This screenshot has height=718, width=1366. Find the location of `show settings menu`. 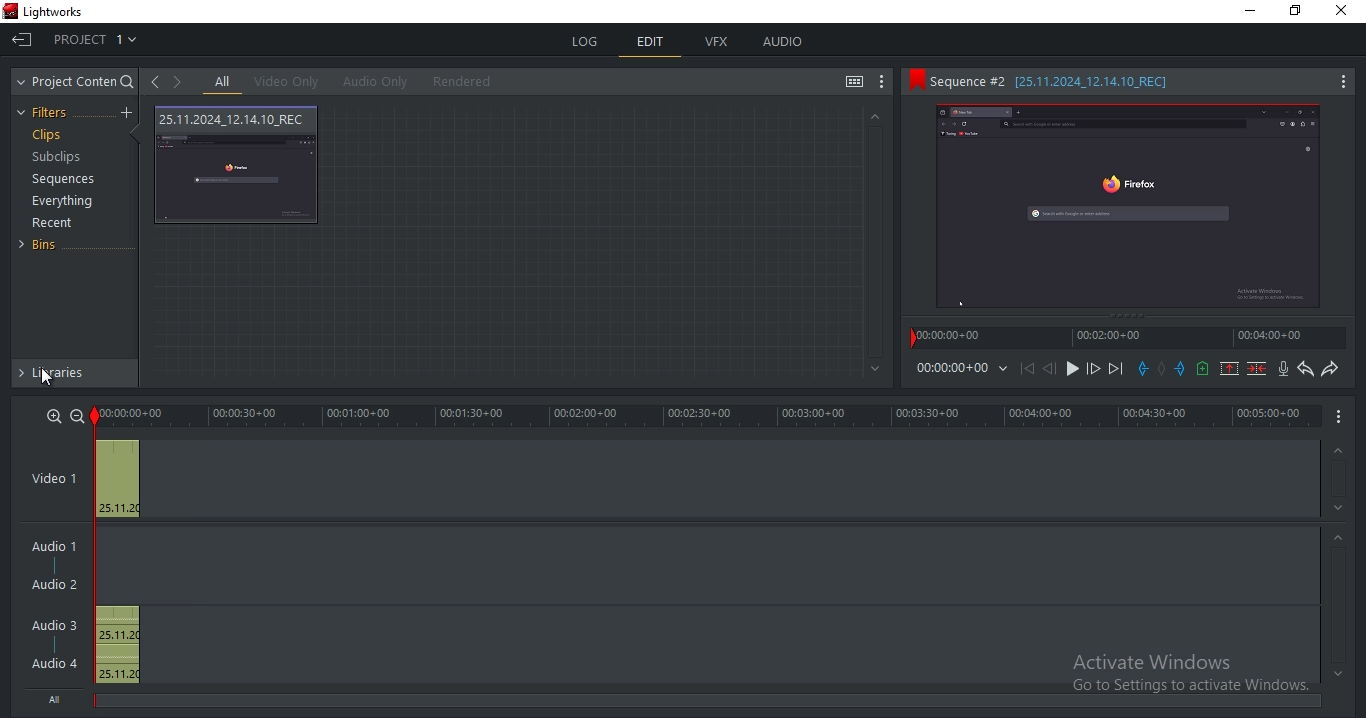

show settings menu is located at coordinates (884, 82).